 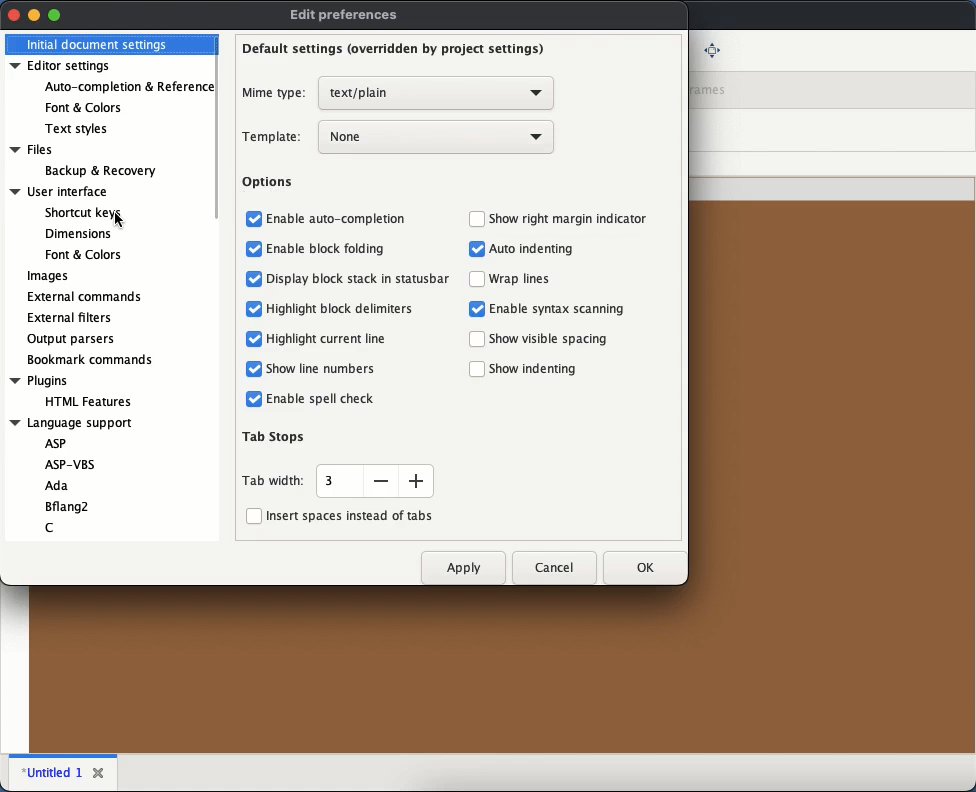 What do you see at coordinates (476, 250) in the screenshot?
I see `checkbox enabled` at bounding box center [476, 250].